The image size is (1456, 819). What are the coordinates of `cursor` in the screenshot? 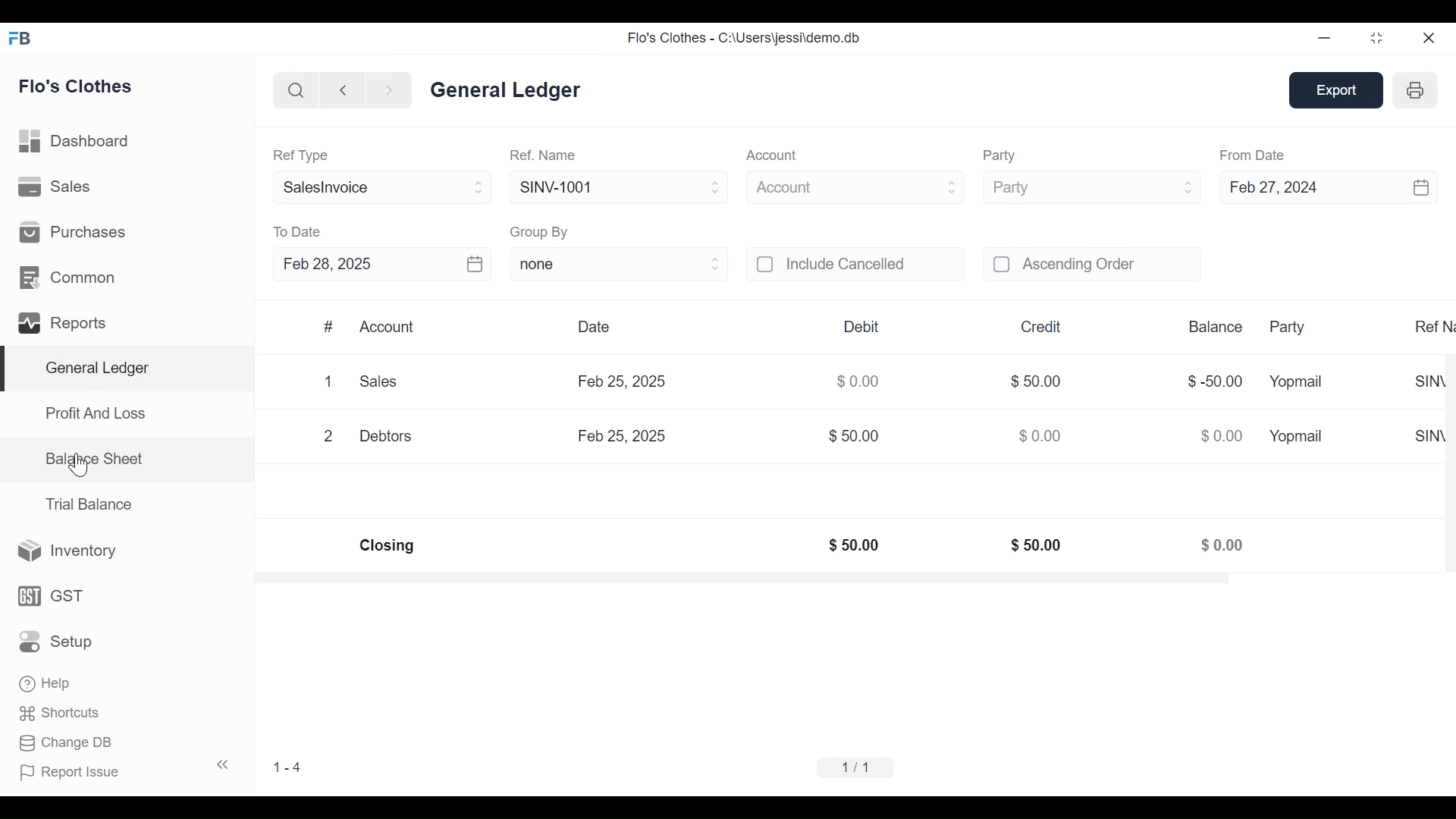 It's located at (79, 464).